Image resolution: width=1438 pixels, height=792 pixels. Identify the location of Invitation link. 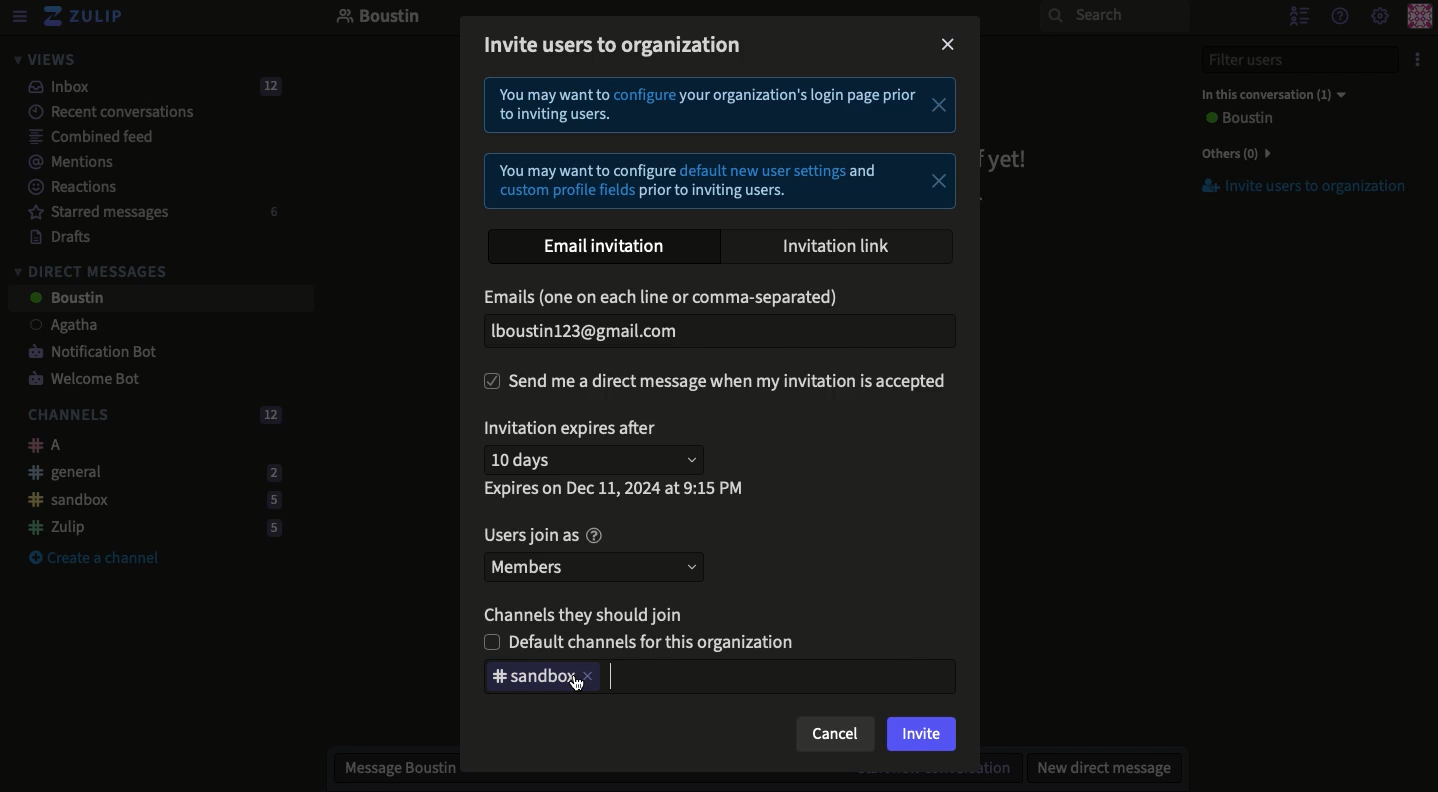
(838, 245).